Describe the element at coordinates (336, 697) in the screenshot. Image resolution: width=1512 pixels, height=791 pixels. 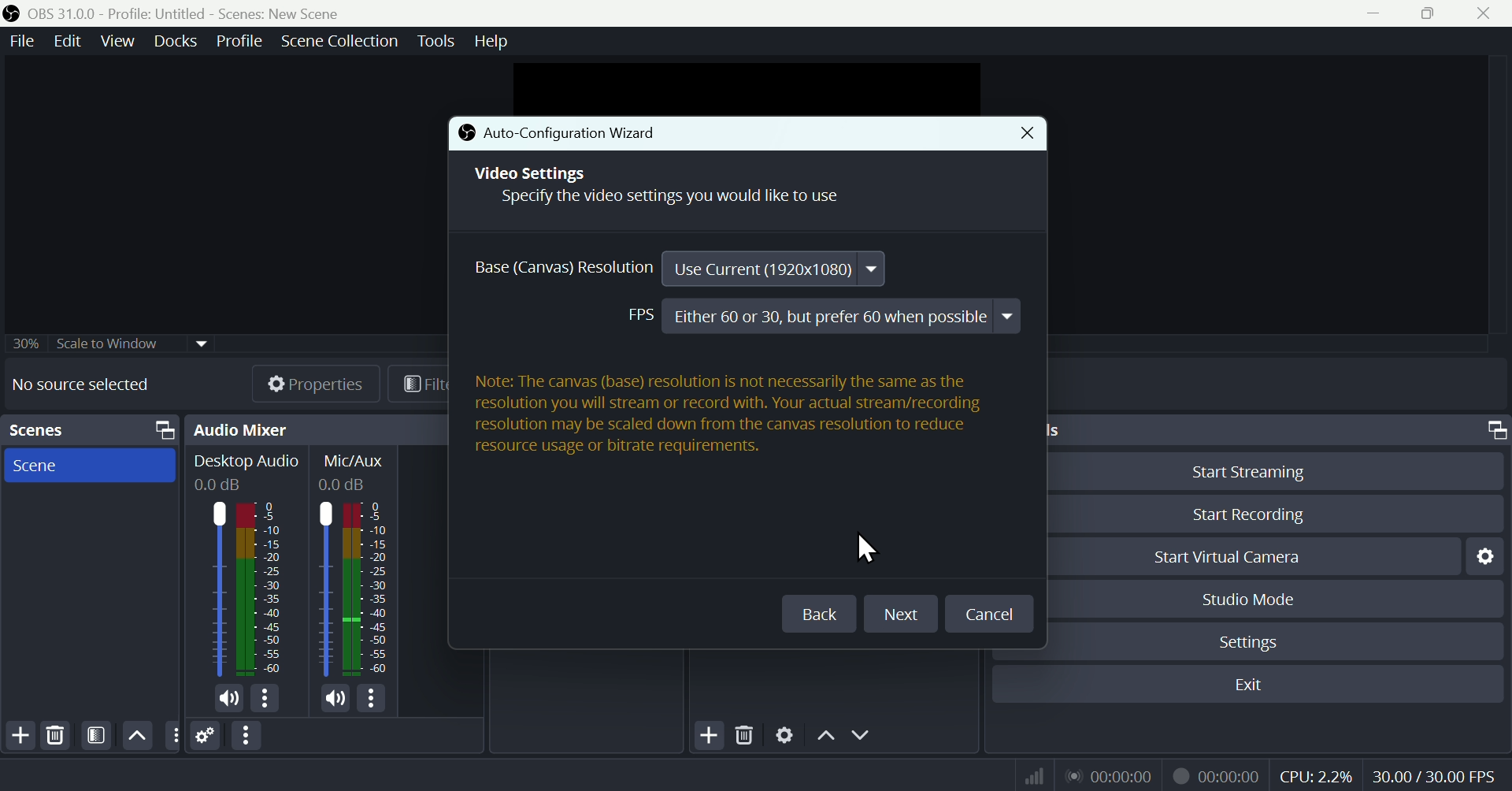
I see `mic` at that location.